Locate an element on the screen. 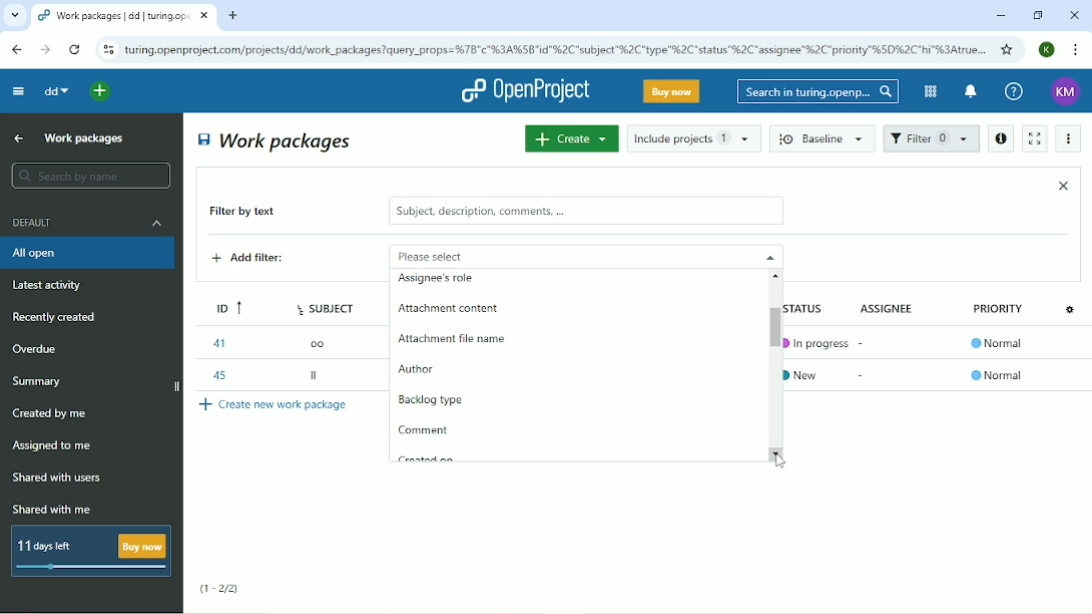 This screenshot has width=1092, height=614. Work packages is located at coordinates (276, 140).